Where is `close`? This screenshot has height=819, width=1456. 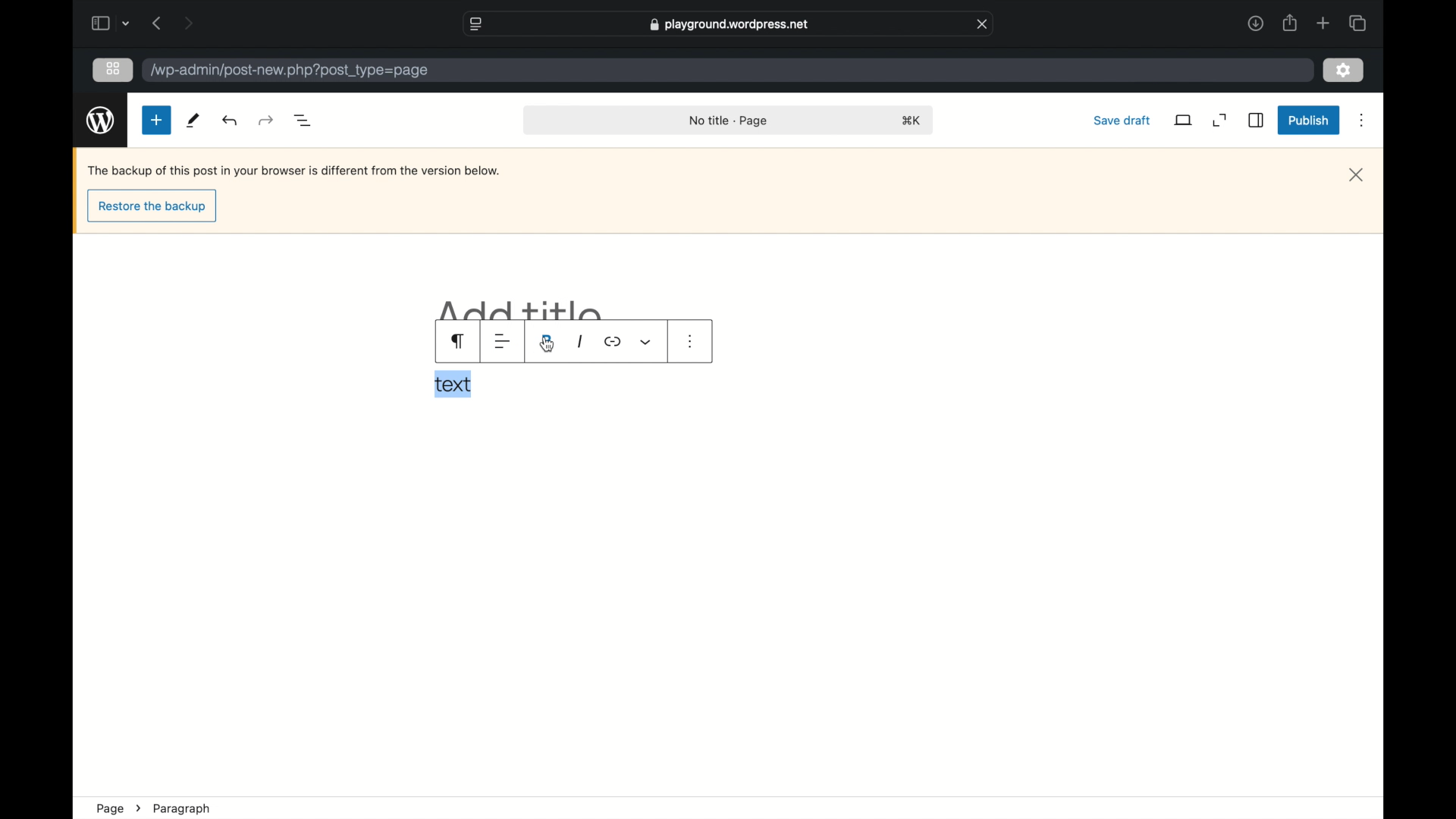
close is located at coordinates (1357, 175).